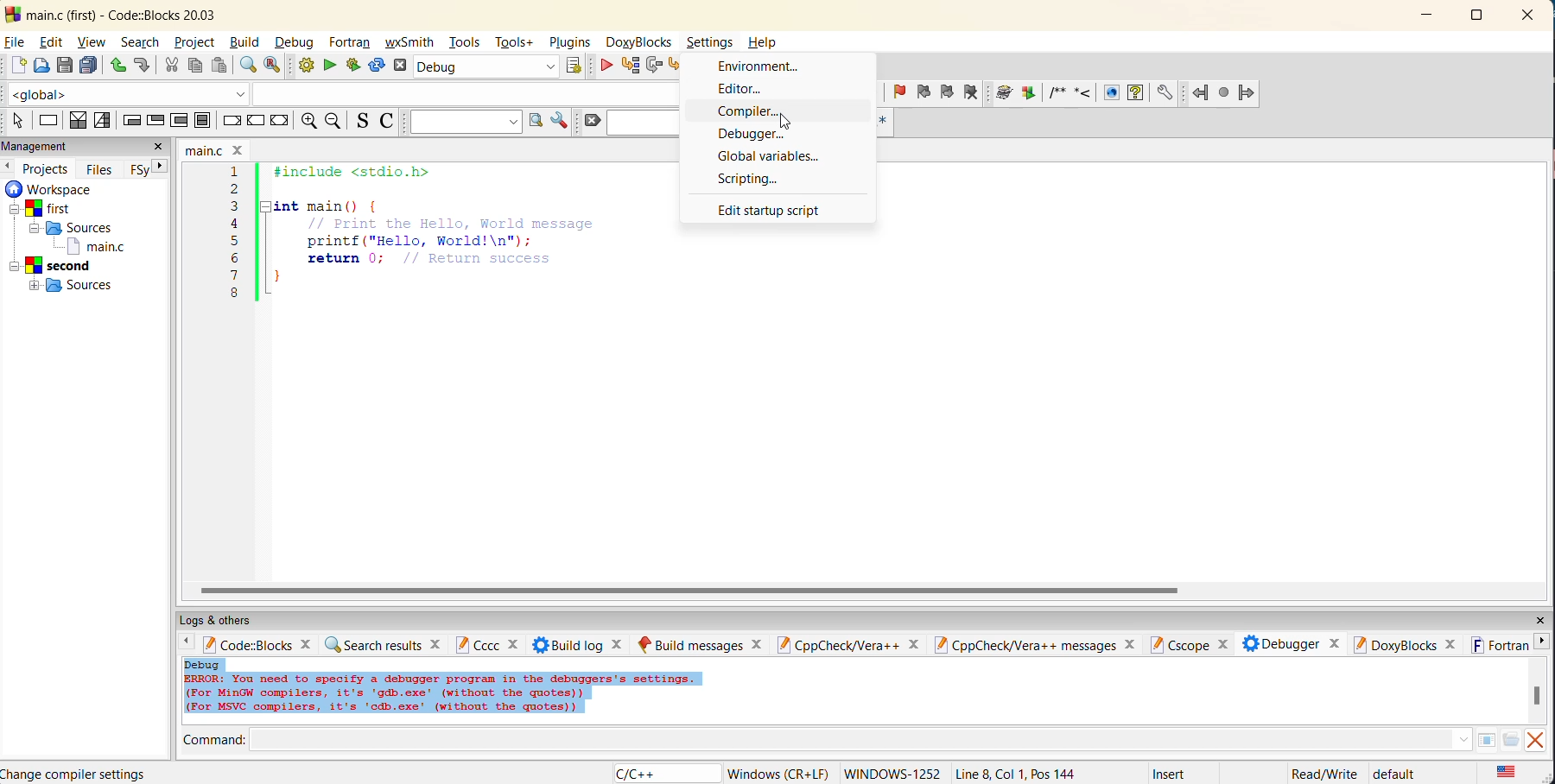  Describe the element at coordinates (46, 168) in the screenshot. I see `projects` at that location.